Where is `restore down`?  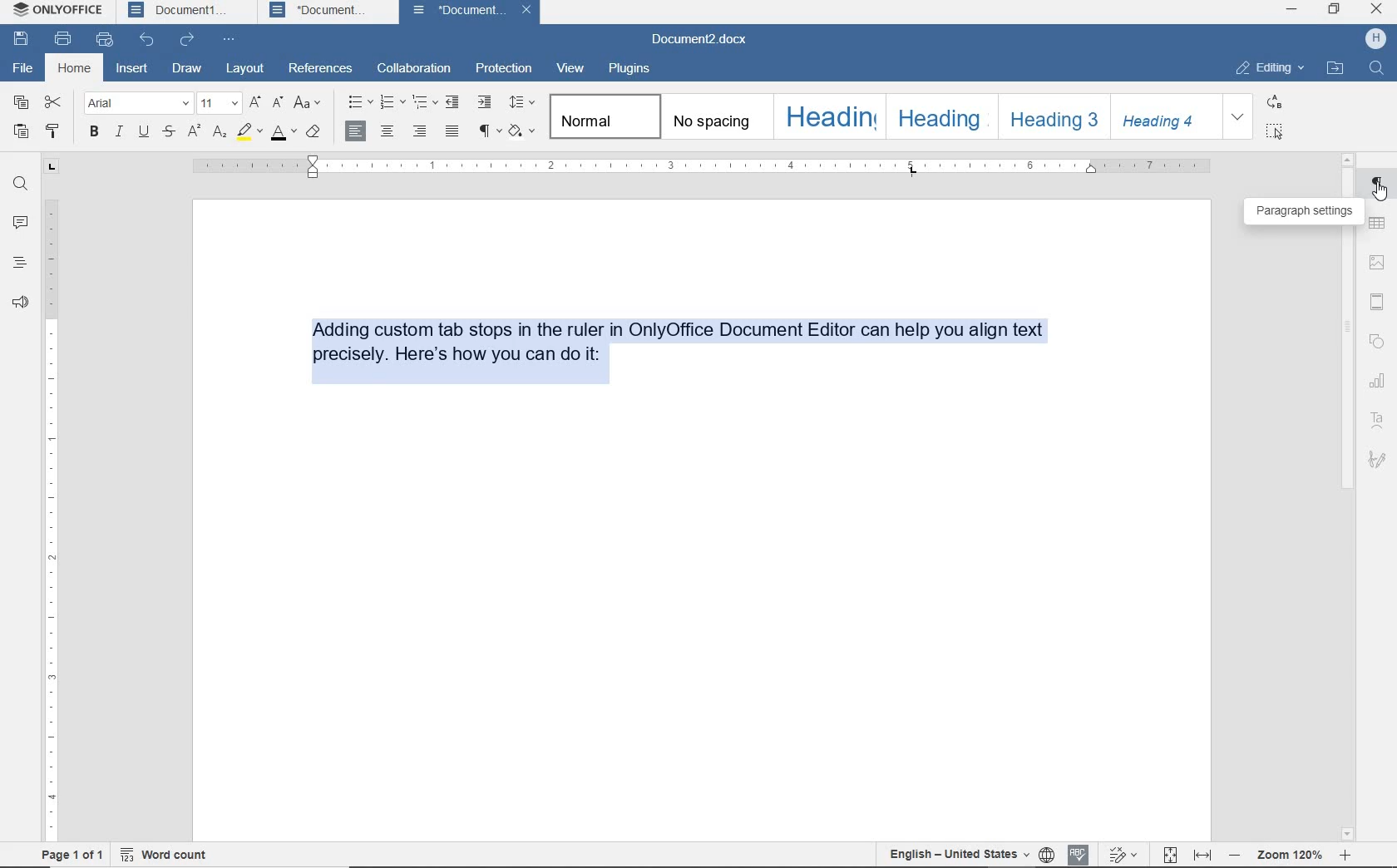 restore down is located at coordinates (1335, 8).